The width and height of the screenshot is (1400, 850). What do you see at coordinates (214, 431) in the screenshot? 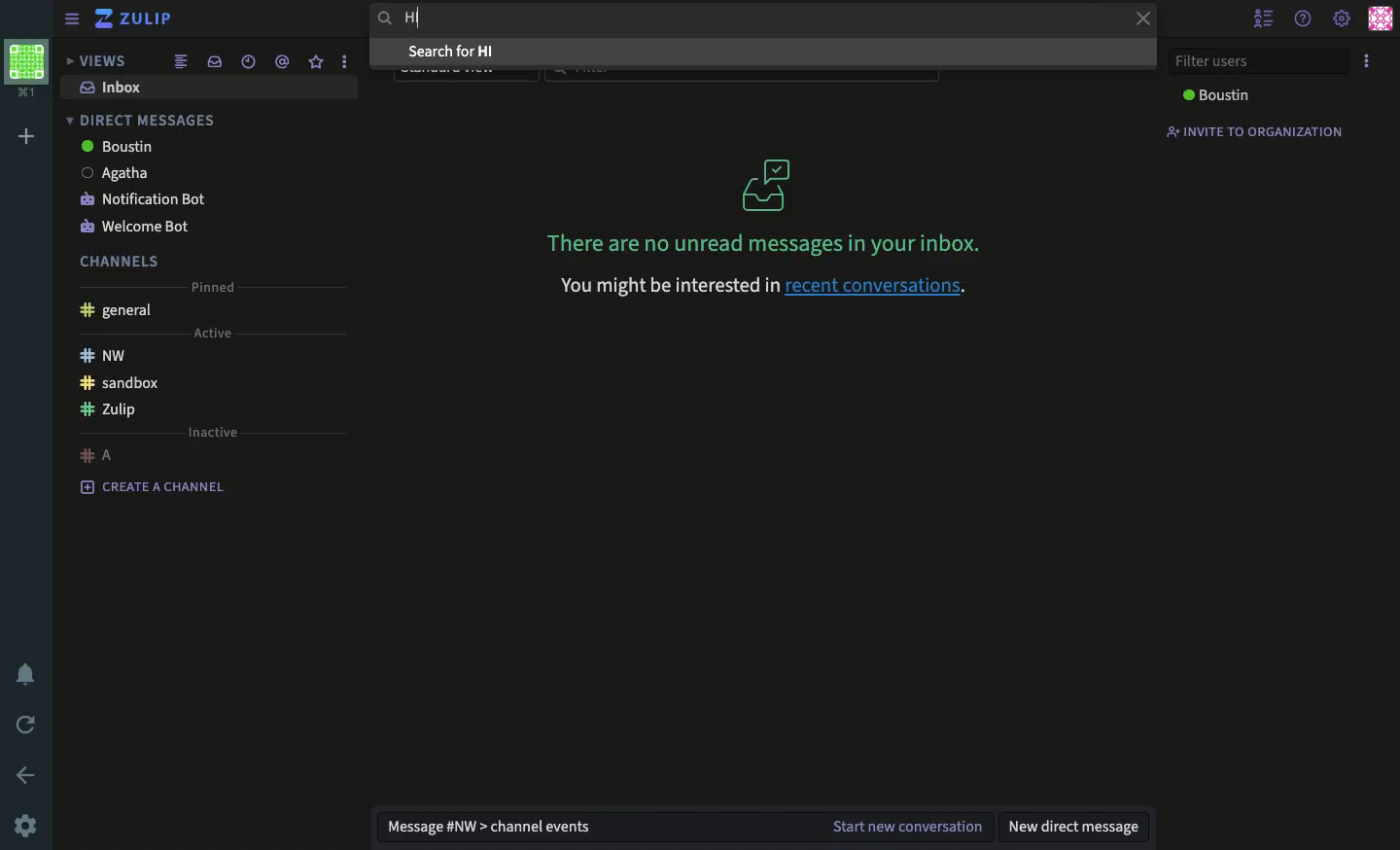
I see `inactive` at bounding box center [214, 431].